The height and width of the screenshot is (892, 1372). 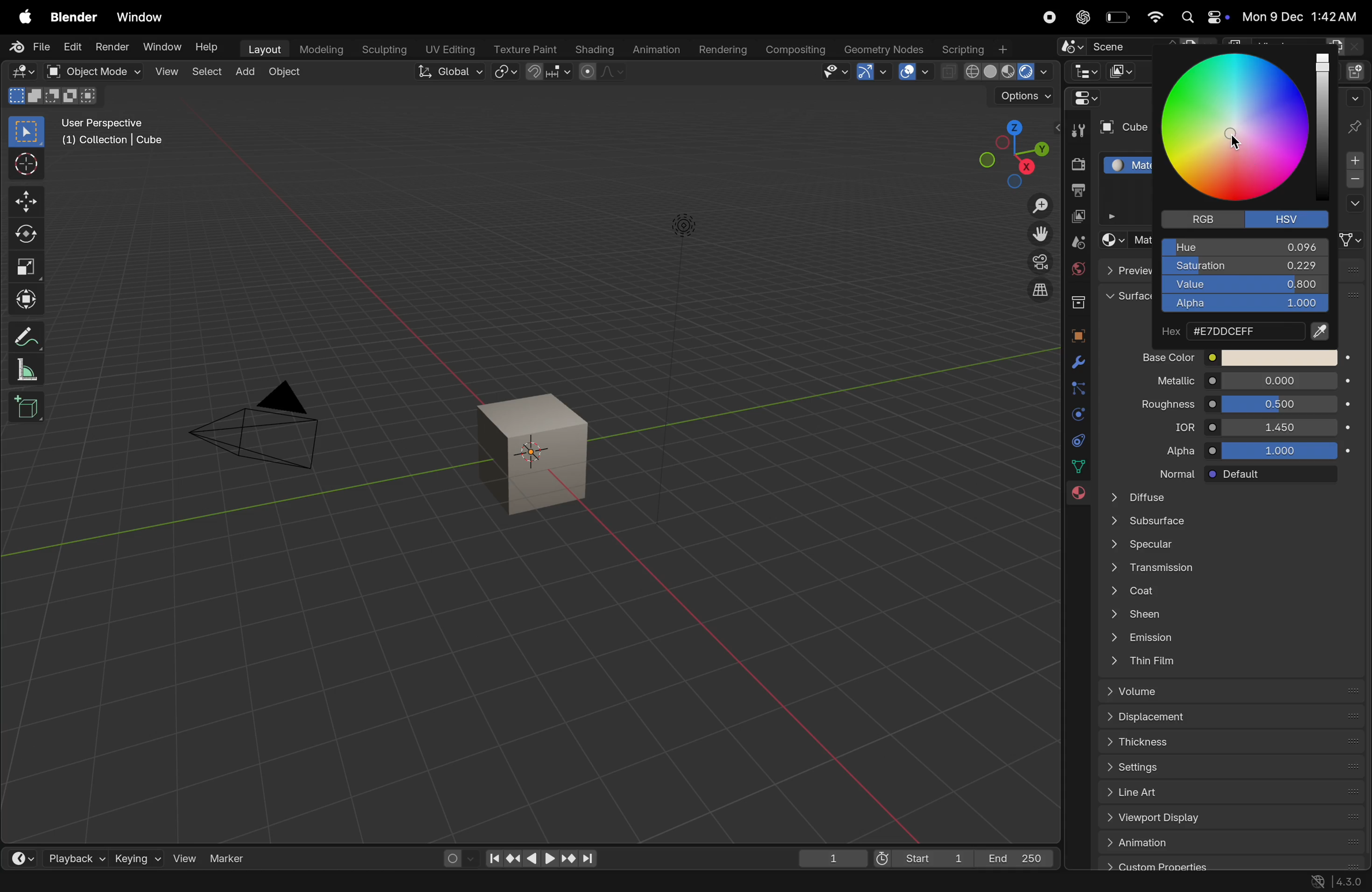 What do you see at coordinates (1354, 205) in the screenshot?
I see `options` at bounding box center [1354, 205].